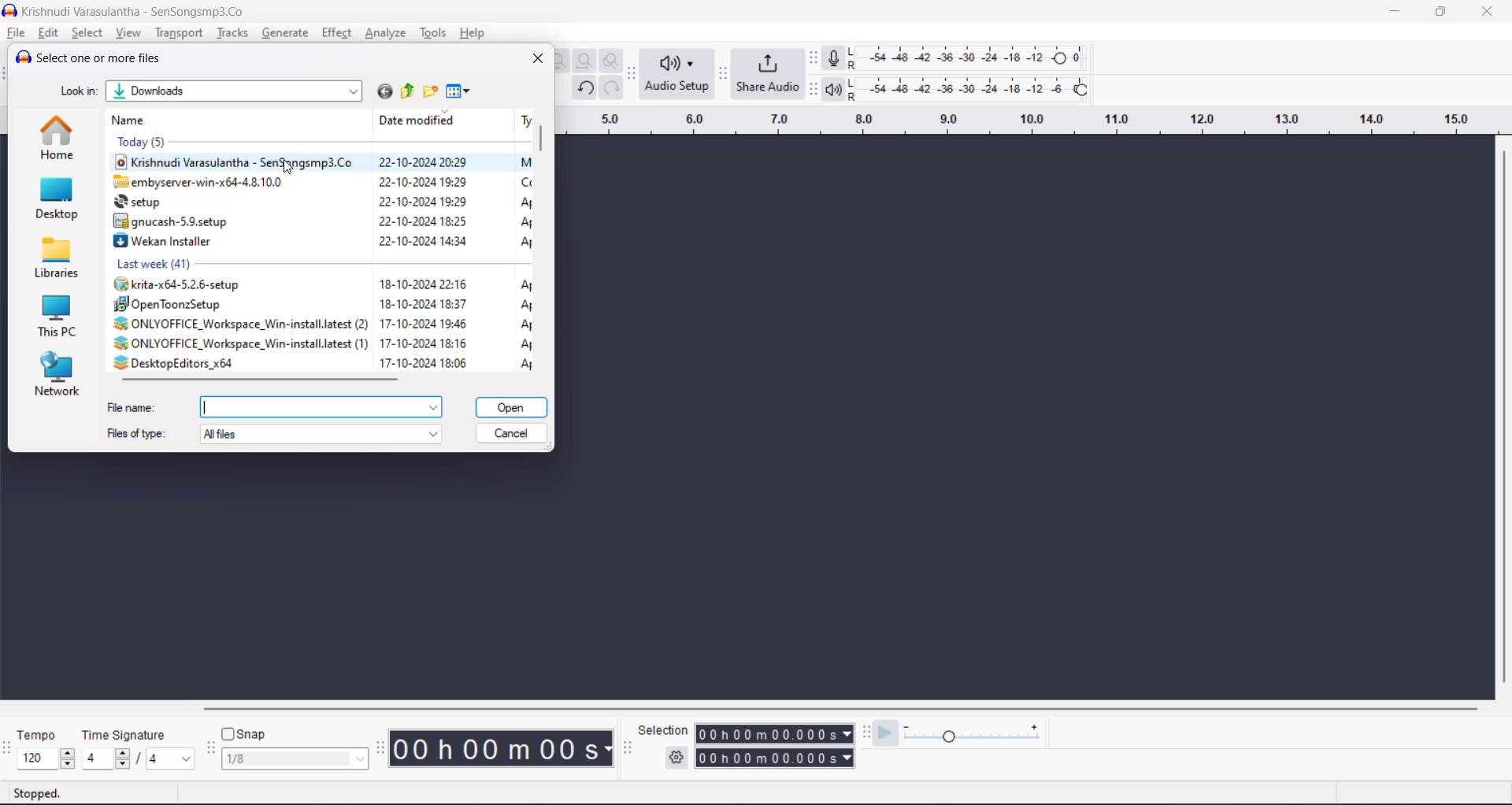 The height and width of the screenshot is (805, 1512). I want to click on view, so click(131, 33).